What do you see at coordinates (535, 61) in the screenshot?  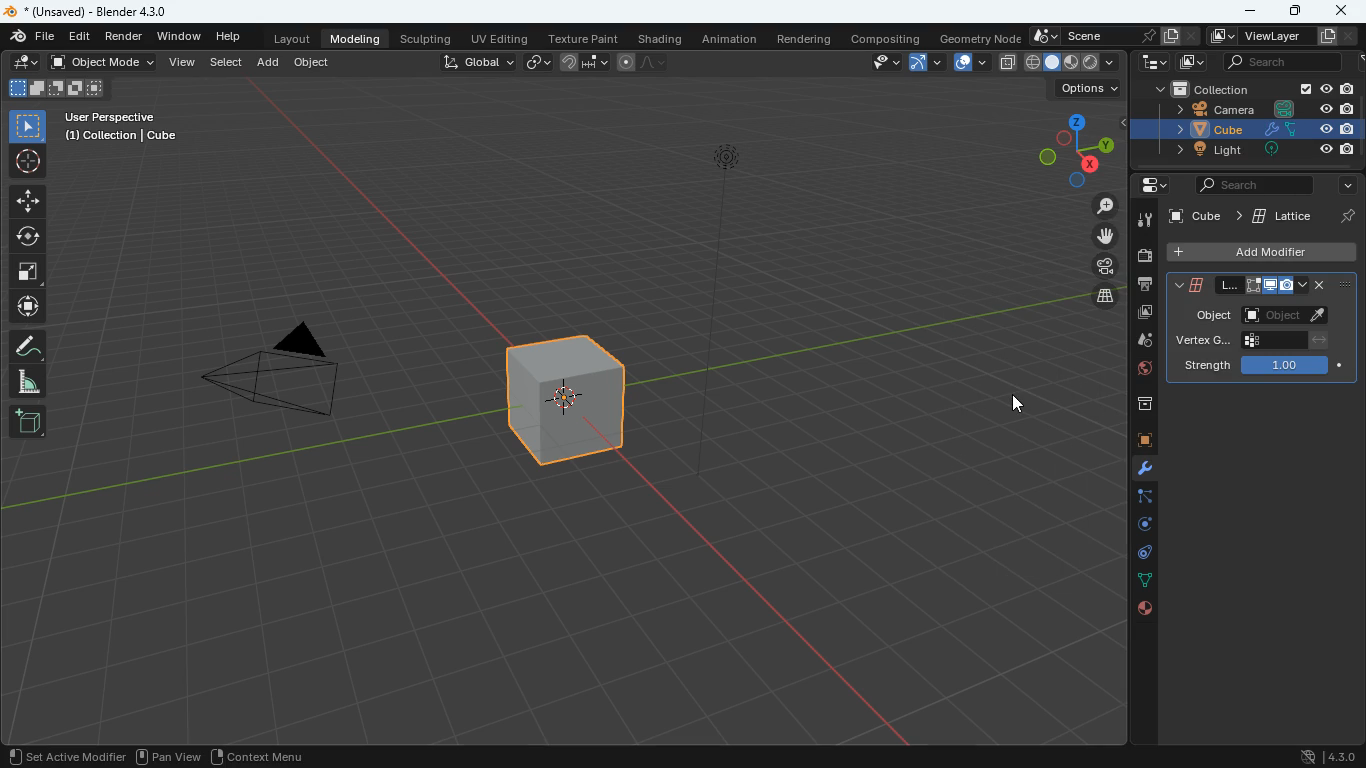 I see `link` at bounding box center [535, 61].